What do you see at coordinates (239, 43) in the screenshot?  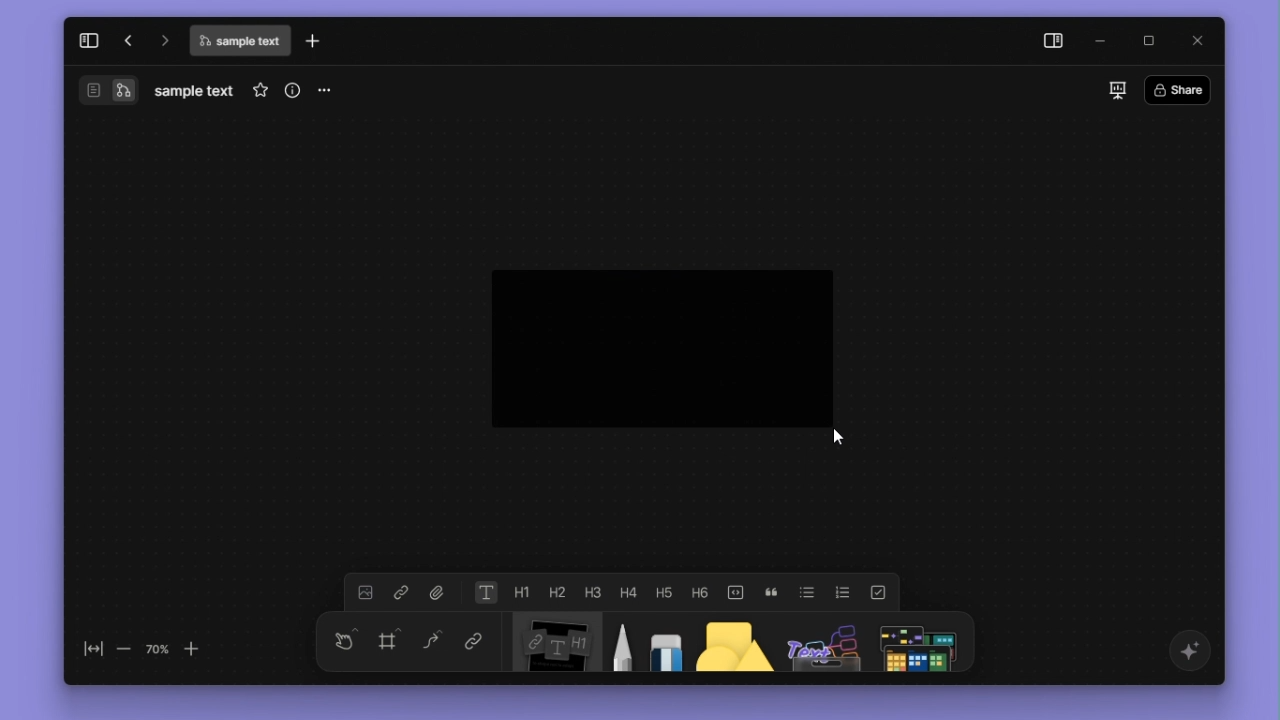 I see `file name` at bounding box center [239, 43].